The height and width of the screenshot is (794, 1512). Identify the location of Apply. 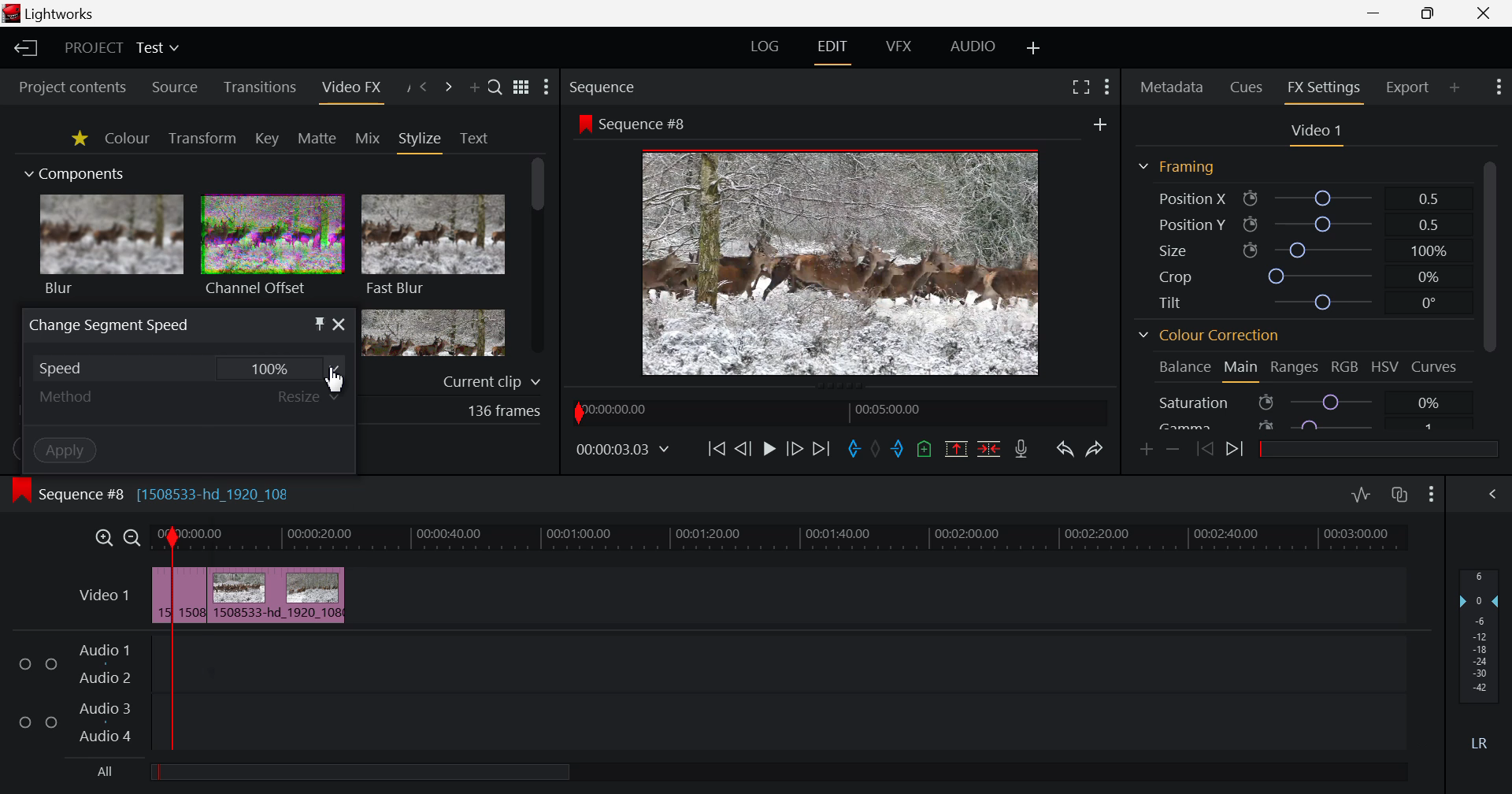
(63, 452).